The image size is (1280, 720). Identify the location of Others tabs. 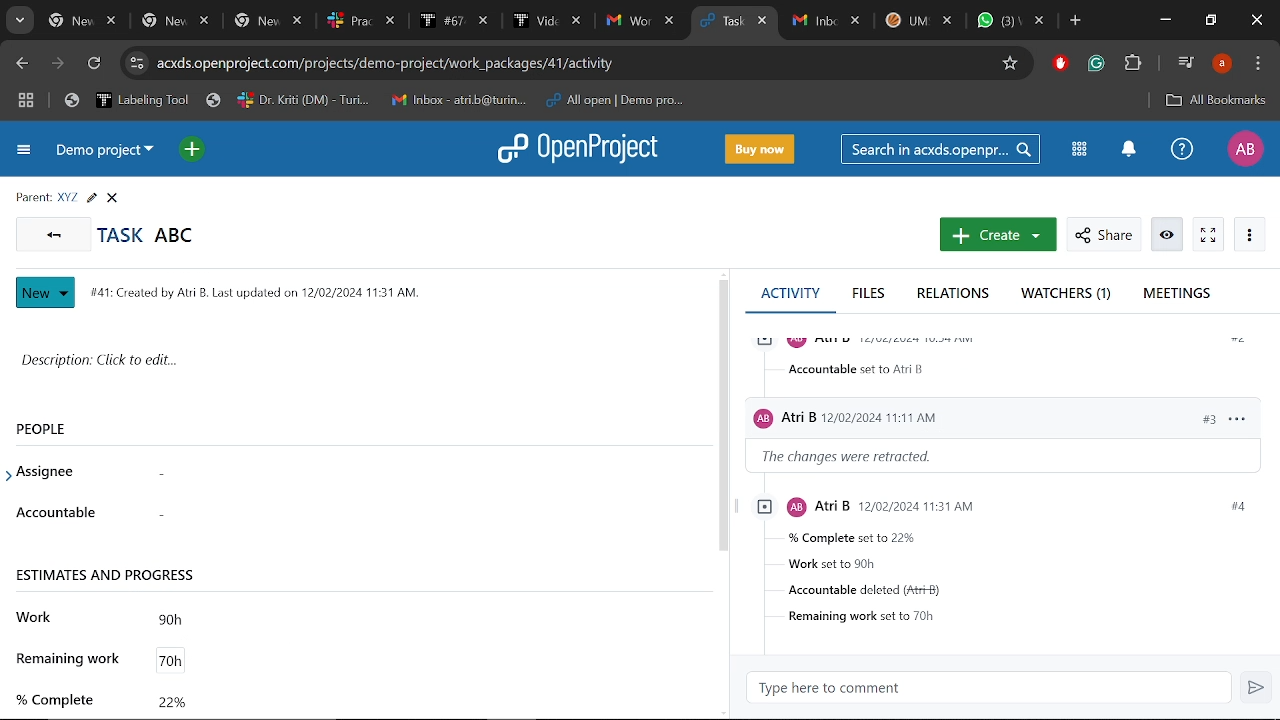
(363, 21).